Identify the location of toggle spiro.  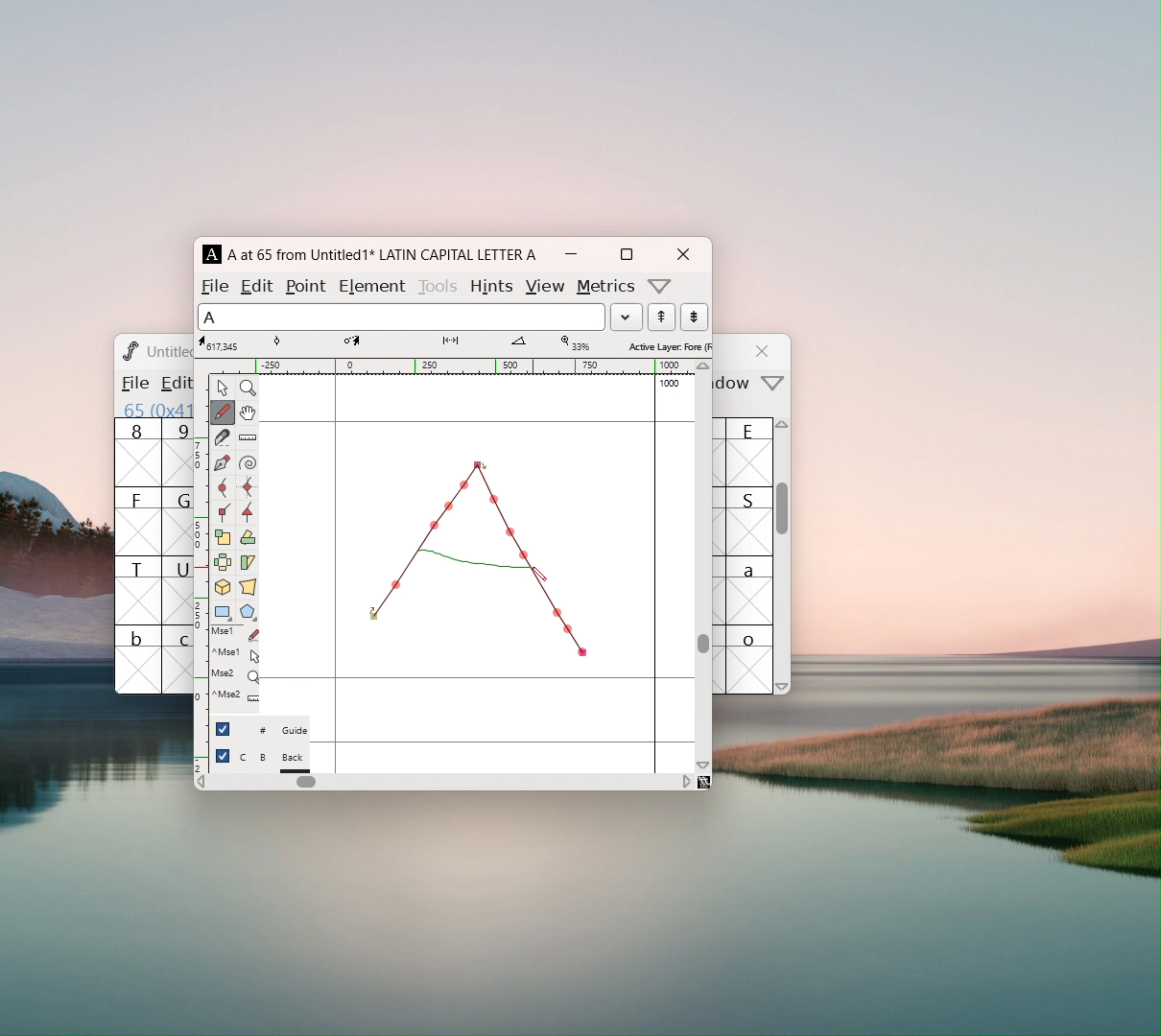
(248, 463).